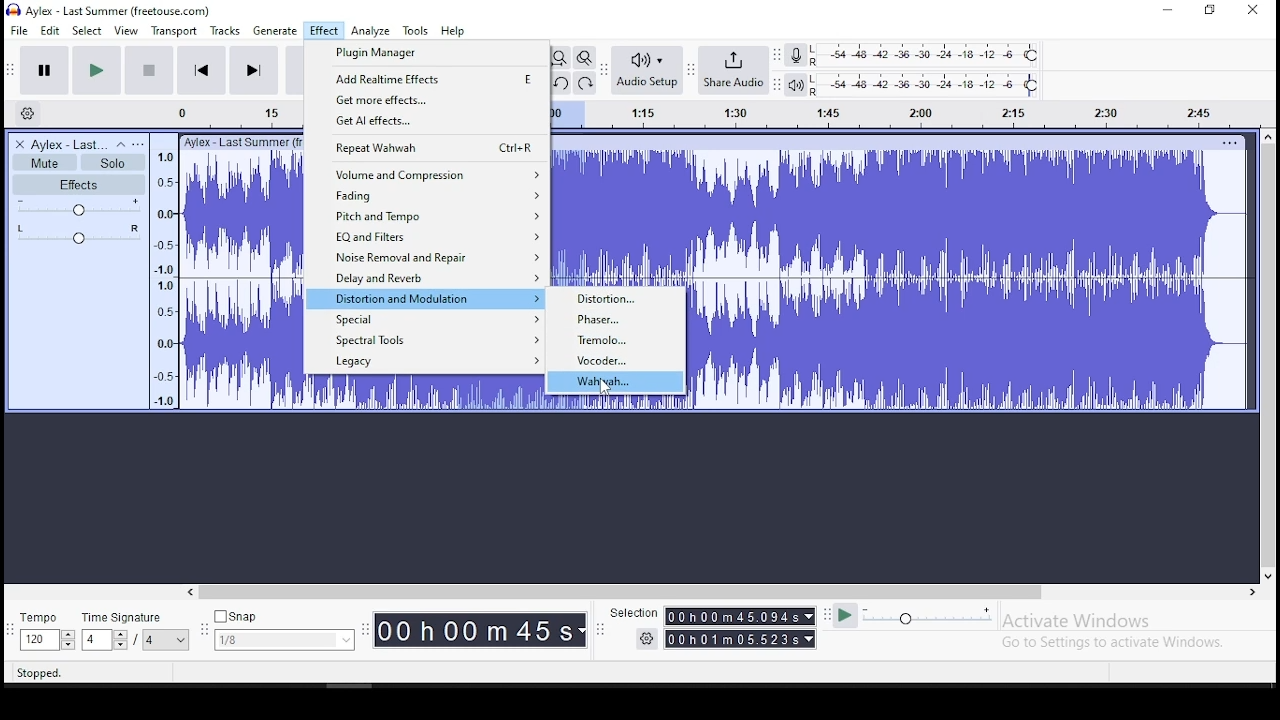  Describe the element at coordinates (934, 83) in the screenshot. I see `playback level` at that location.